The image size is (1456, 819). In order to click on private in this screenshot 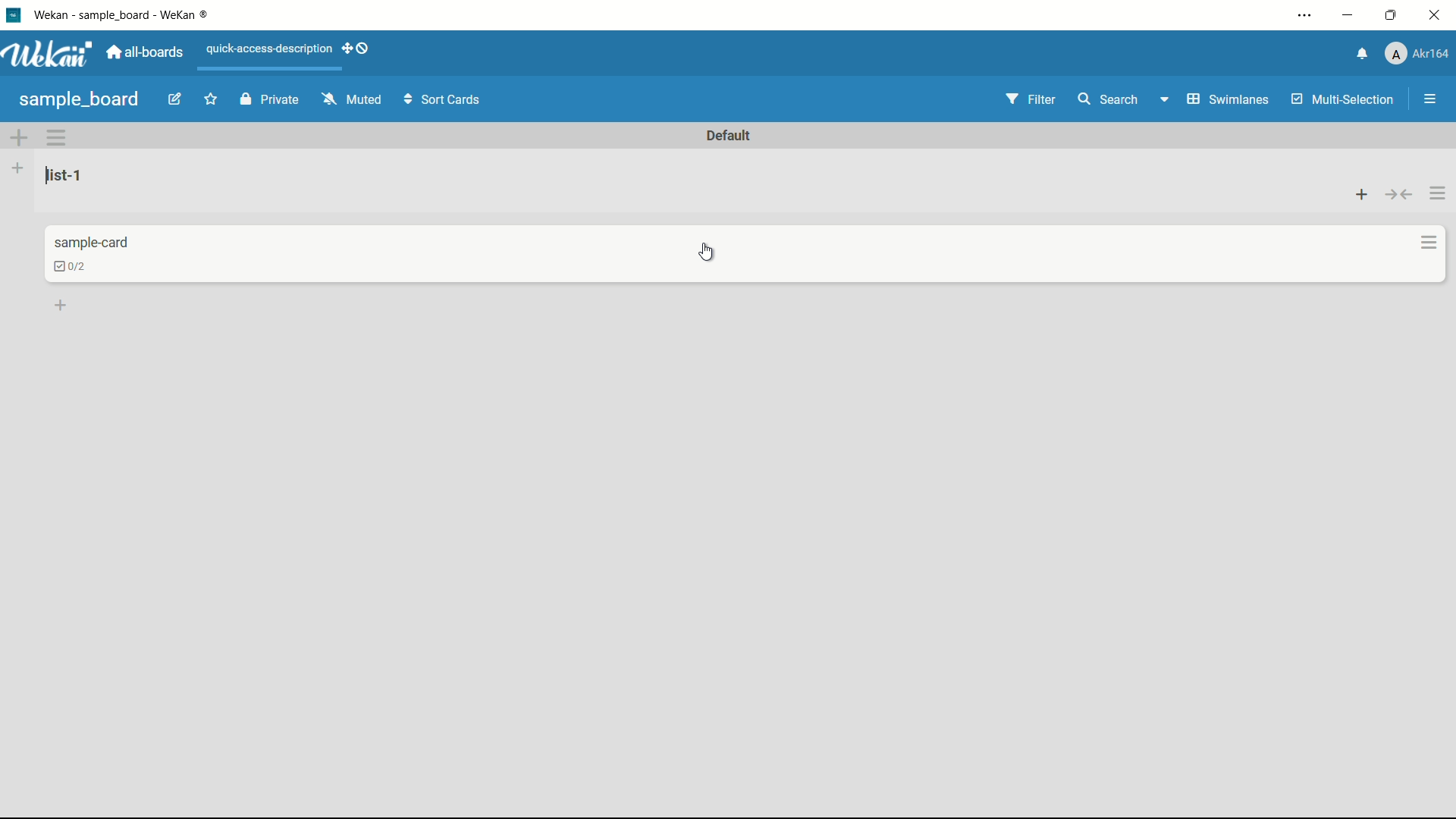, I will do `click(269, 100)`.